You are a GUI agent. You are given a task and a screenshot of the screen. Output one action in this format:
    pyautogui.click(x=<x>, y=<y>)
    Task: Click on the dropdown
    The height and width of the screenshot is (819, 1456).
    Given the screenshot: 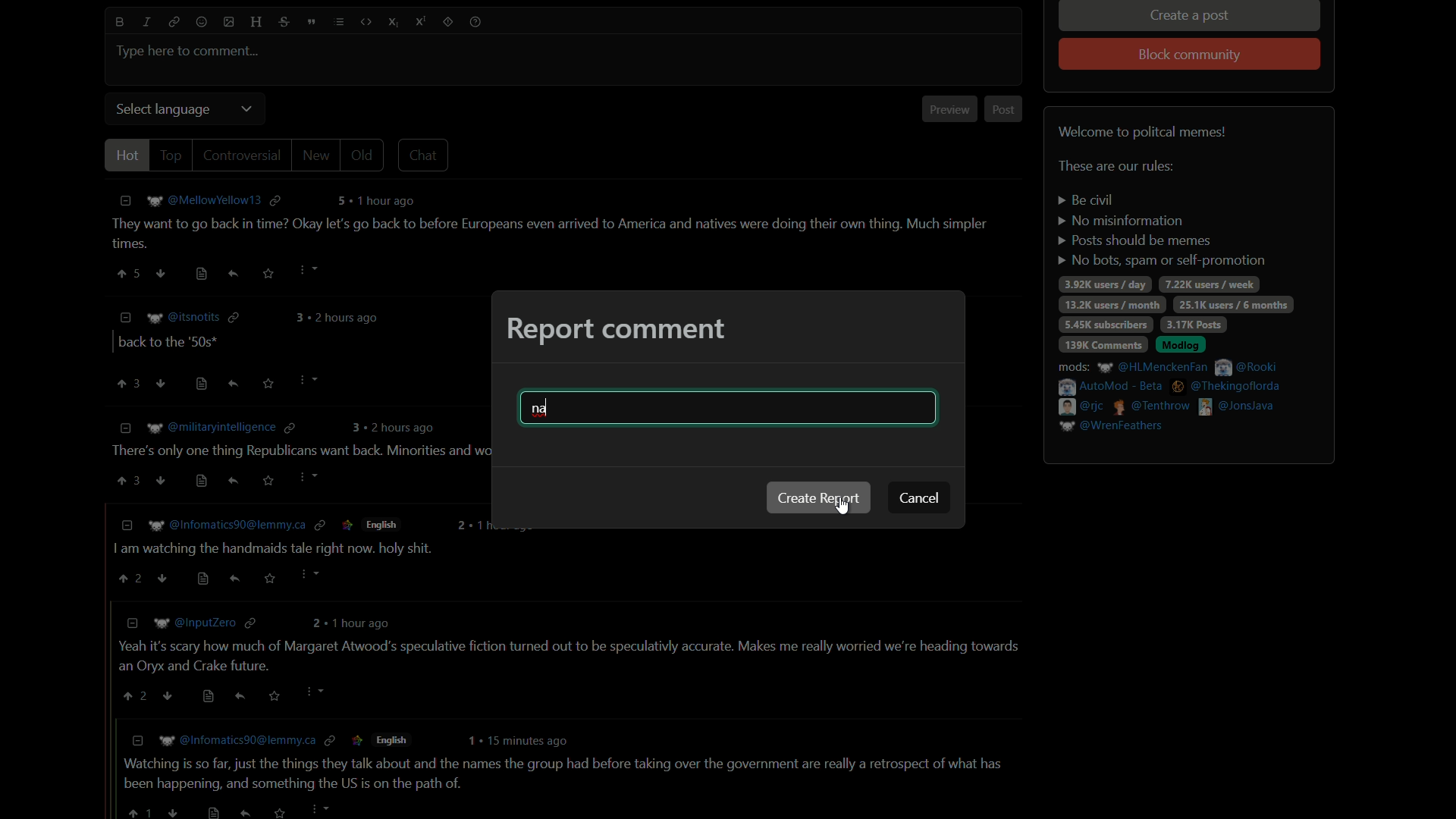 What is the action you would take?
    pyautogui.click(x=246, y=109)
    